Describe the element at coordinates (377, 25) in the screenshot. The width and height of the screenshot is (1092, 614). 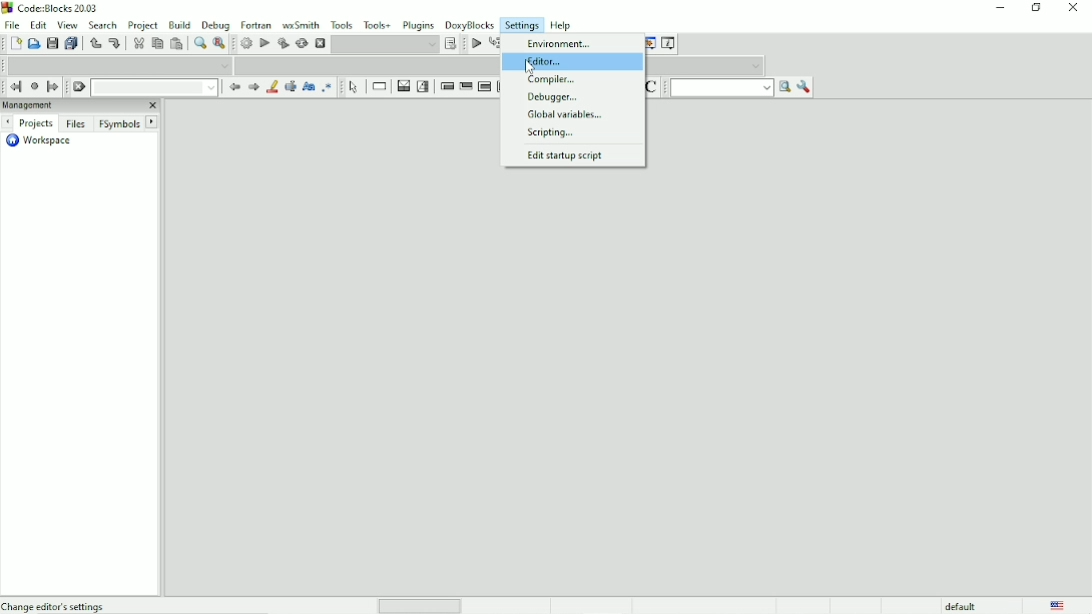
I see `Tools+` at that location.